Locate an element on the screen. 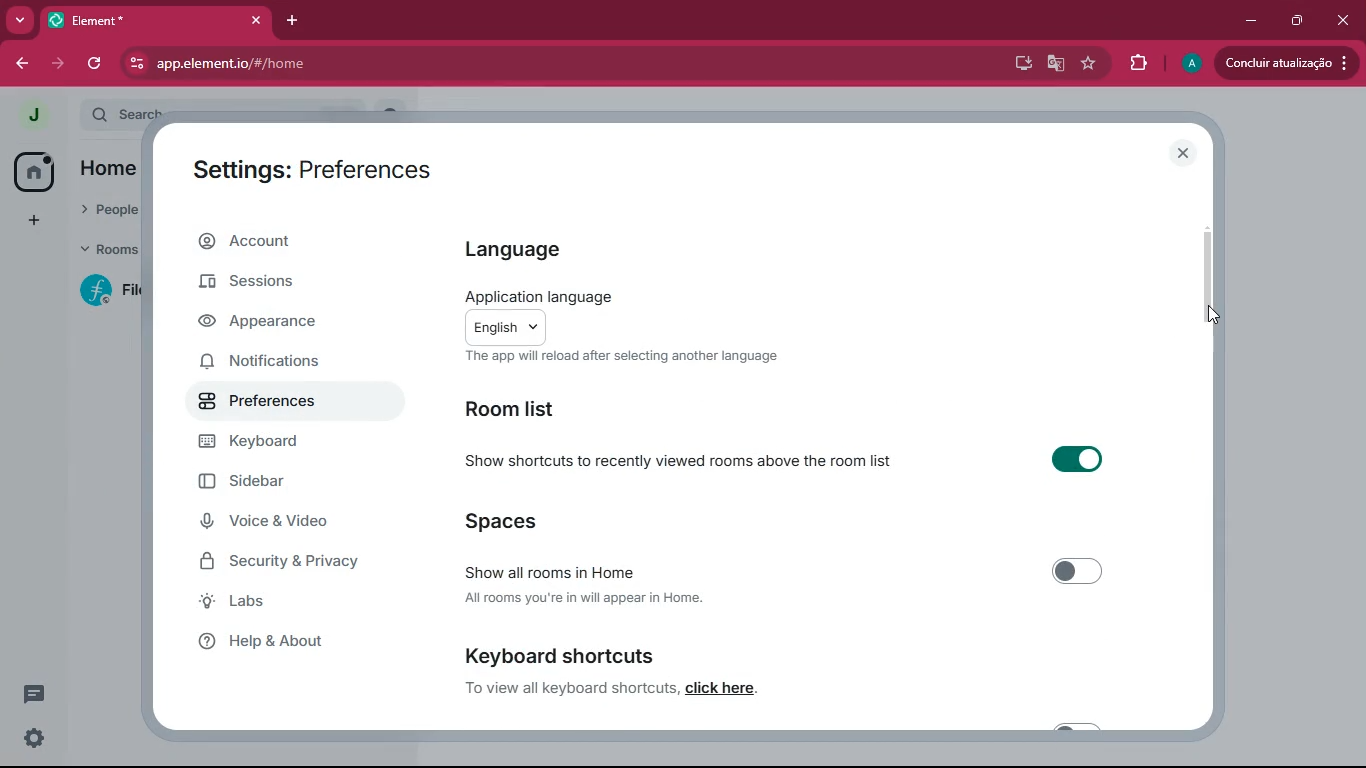  settings: preferences is located at coordinates (310, 166).